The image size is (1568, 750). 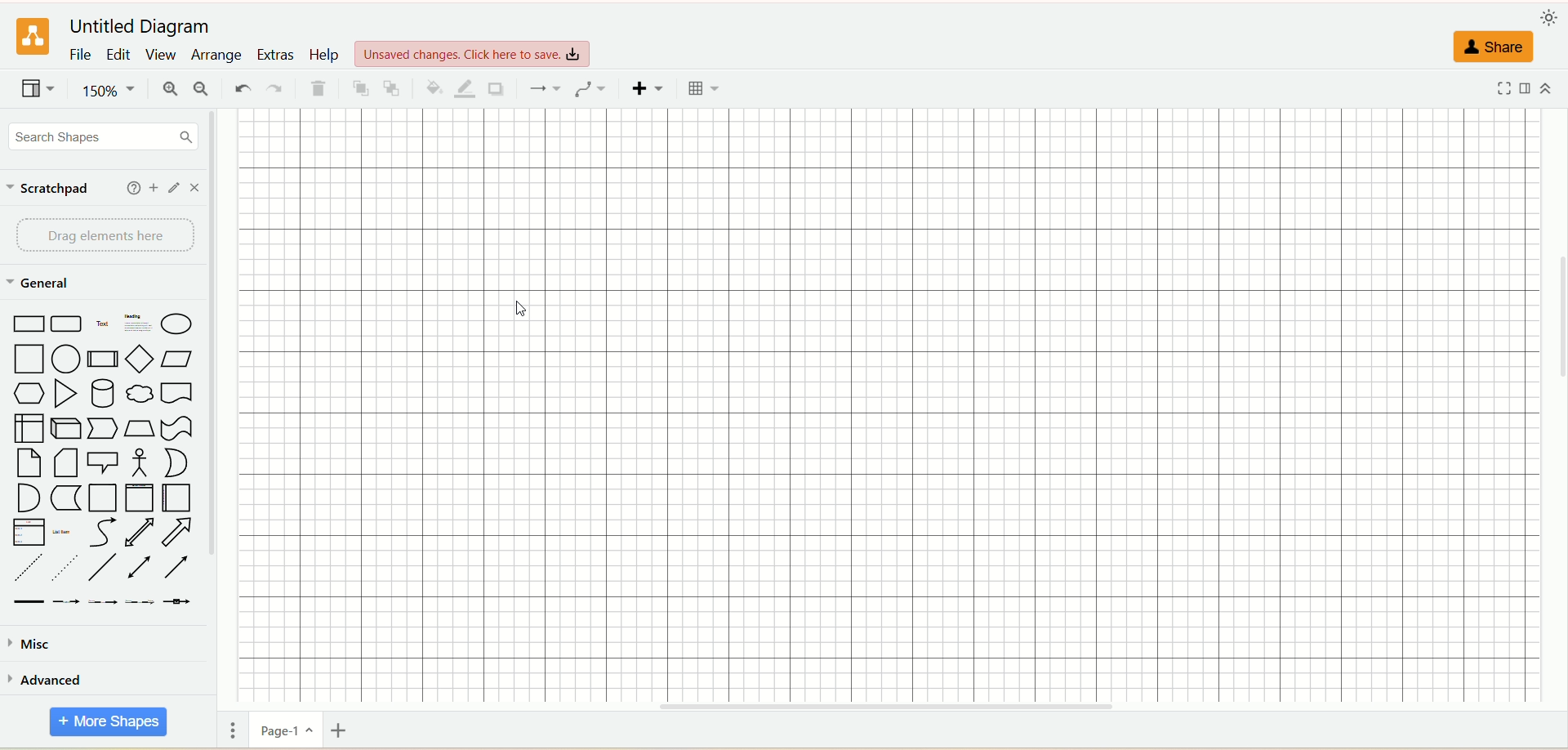 What do you see at coordinates (522, 310) in the screenshot?
I see `cursor` at bounding box center [522, 310].